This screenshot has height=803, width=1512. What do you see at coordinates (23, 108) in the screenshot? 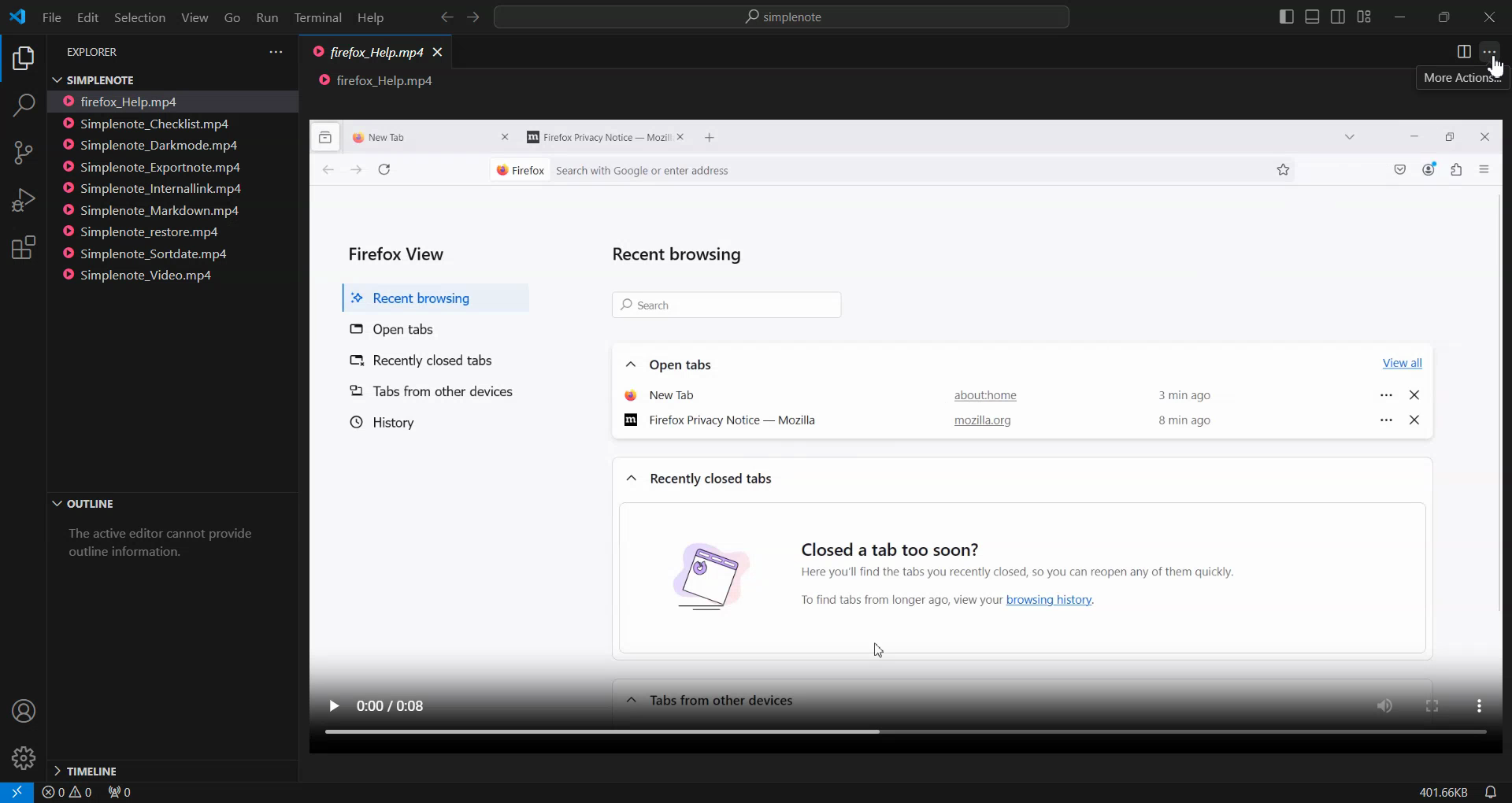
I see `Search` at bounding box center [23, 108].